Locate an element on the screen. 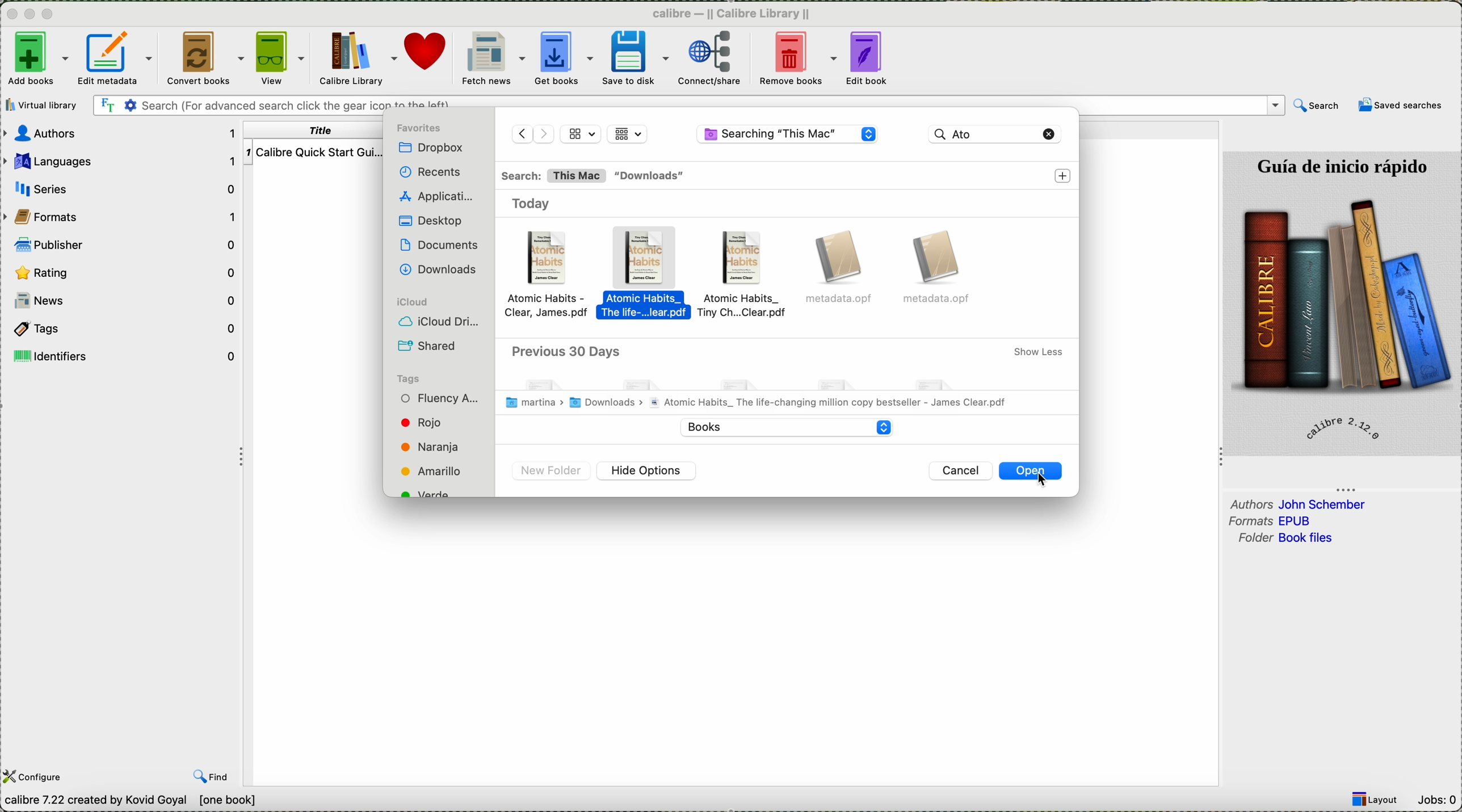  search bar is located at coordinates (688, 104).